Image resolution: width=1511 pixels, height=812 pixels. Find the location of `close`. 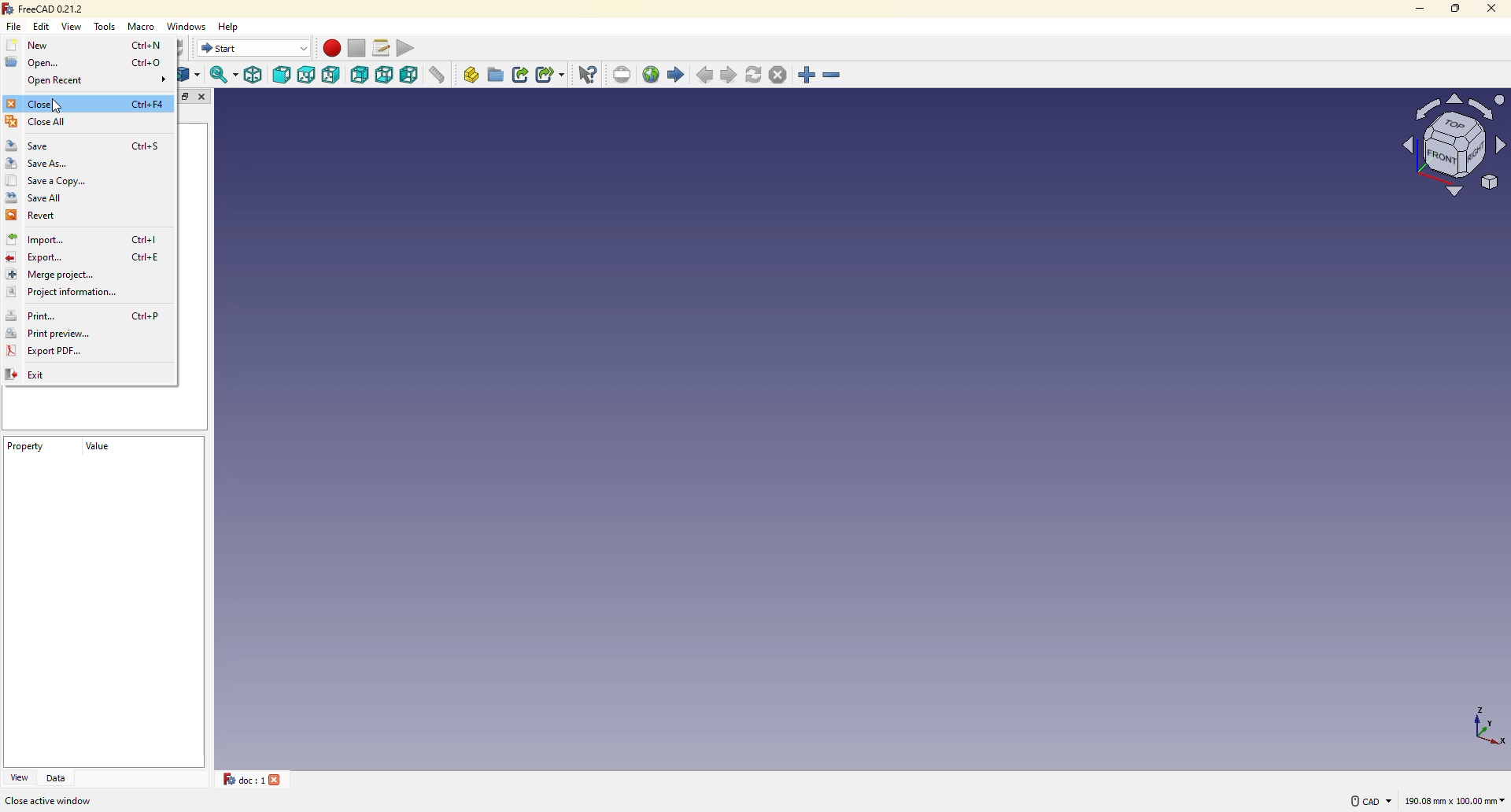

close is located at coordinates (32, 104).